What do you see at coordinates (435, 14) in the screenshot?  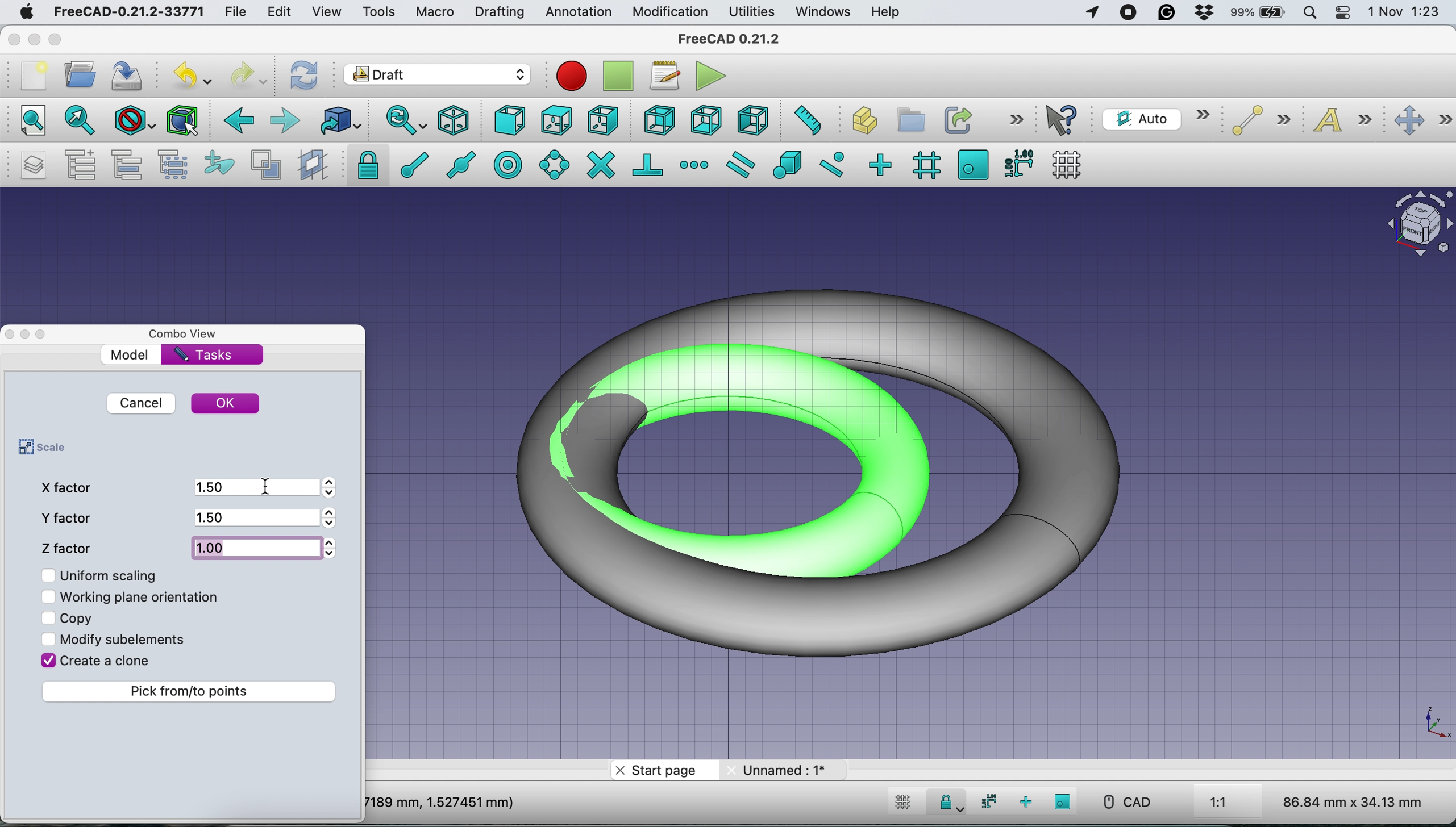 I see `macro` at bounding box center [435, 14].